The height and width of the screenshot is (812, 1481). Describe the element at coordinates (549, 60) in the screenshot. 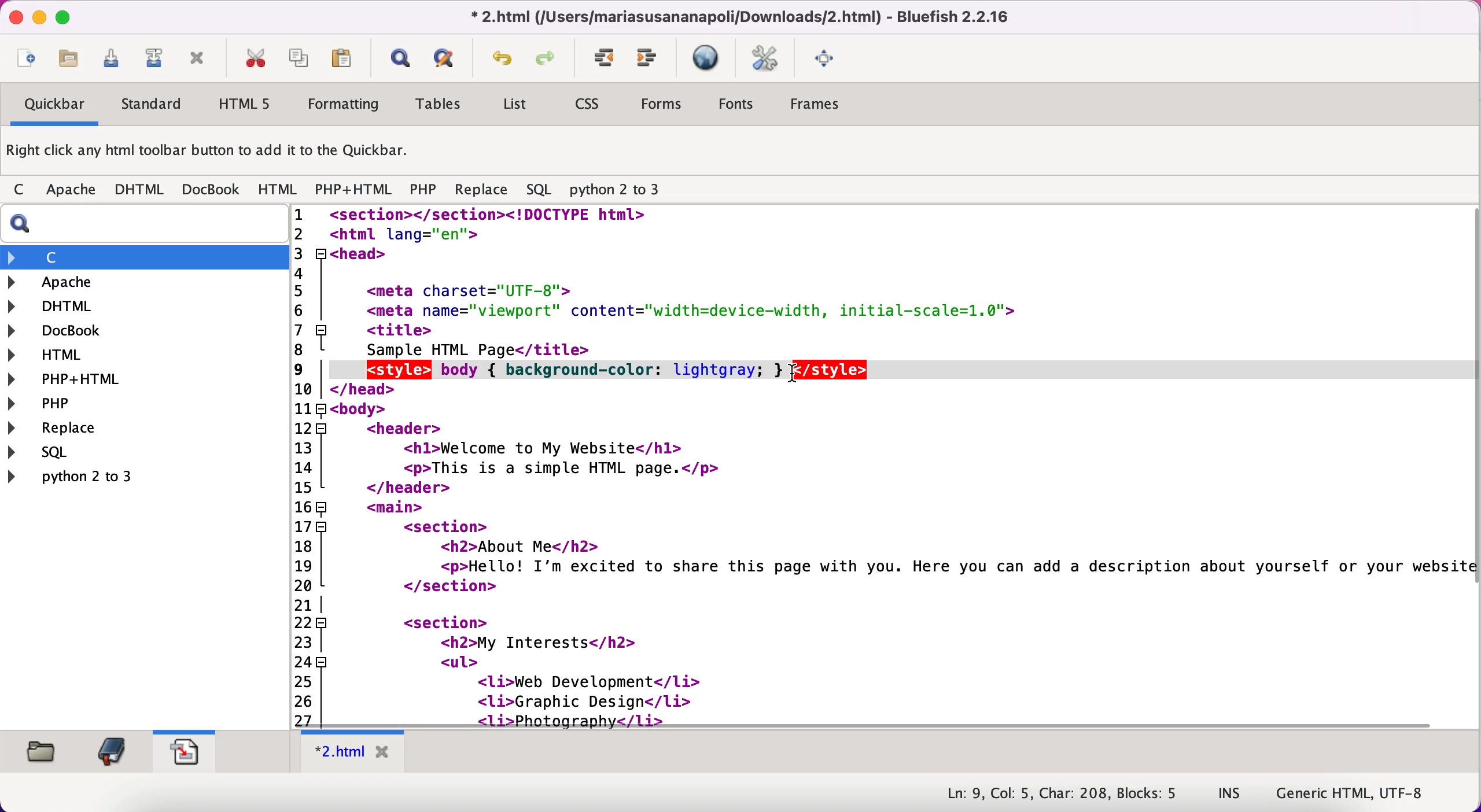

I see `redo` at that location.